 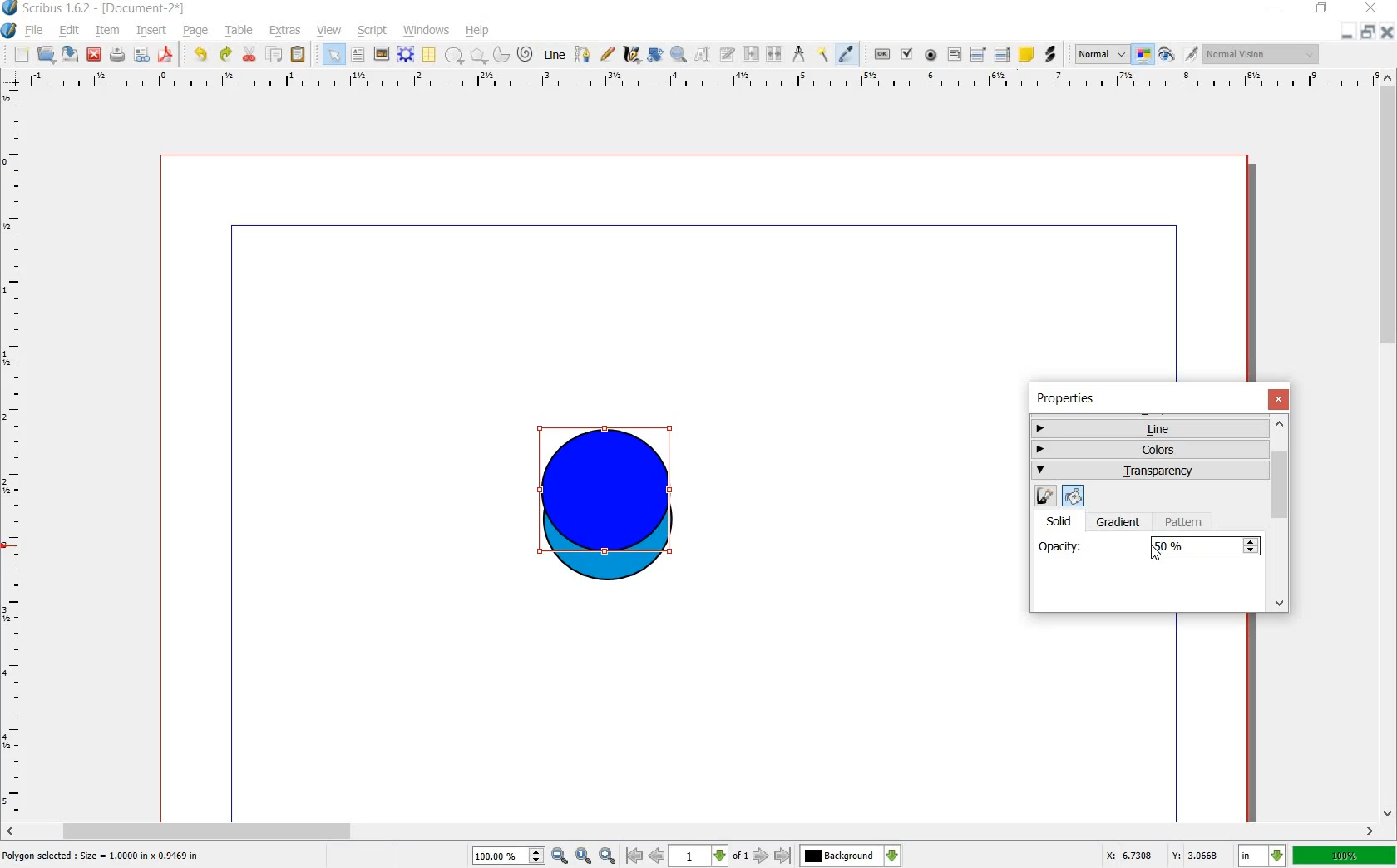 I want to click on scroll bar, so click(x=690, y=830).